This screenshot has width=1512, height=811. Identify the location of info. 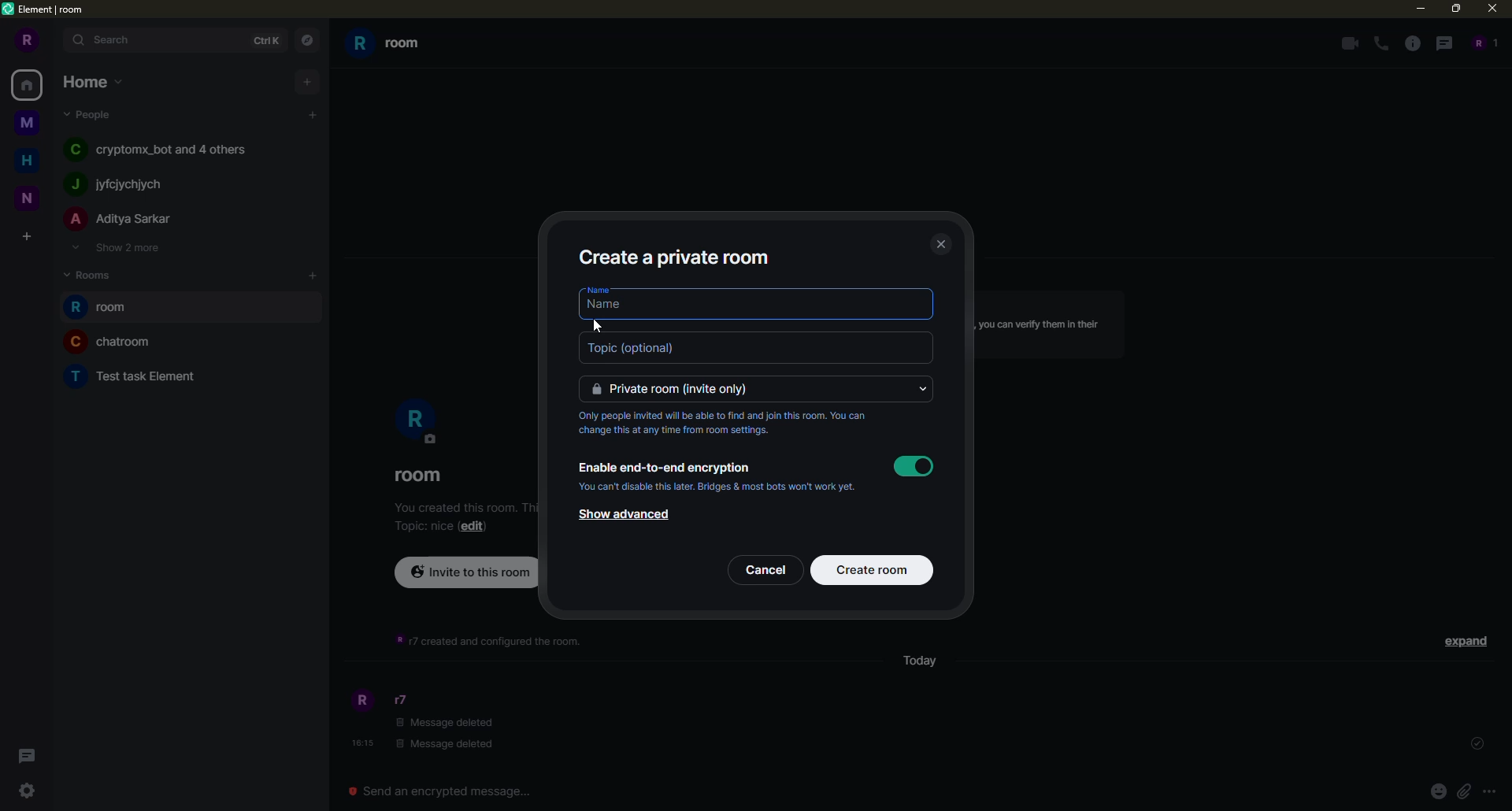
(460, 505).